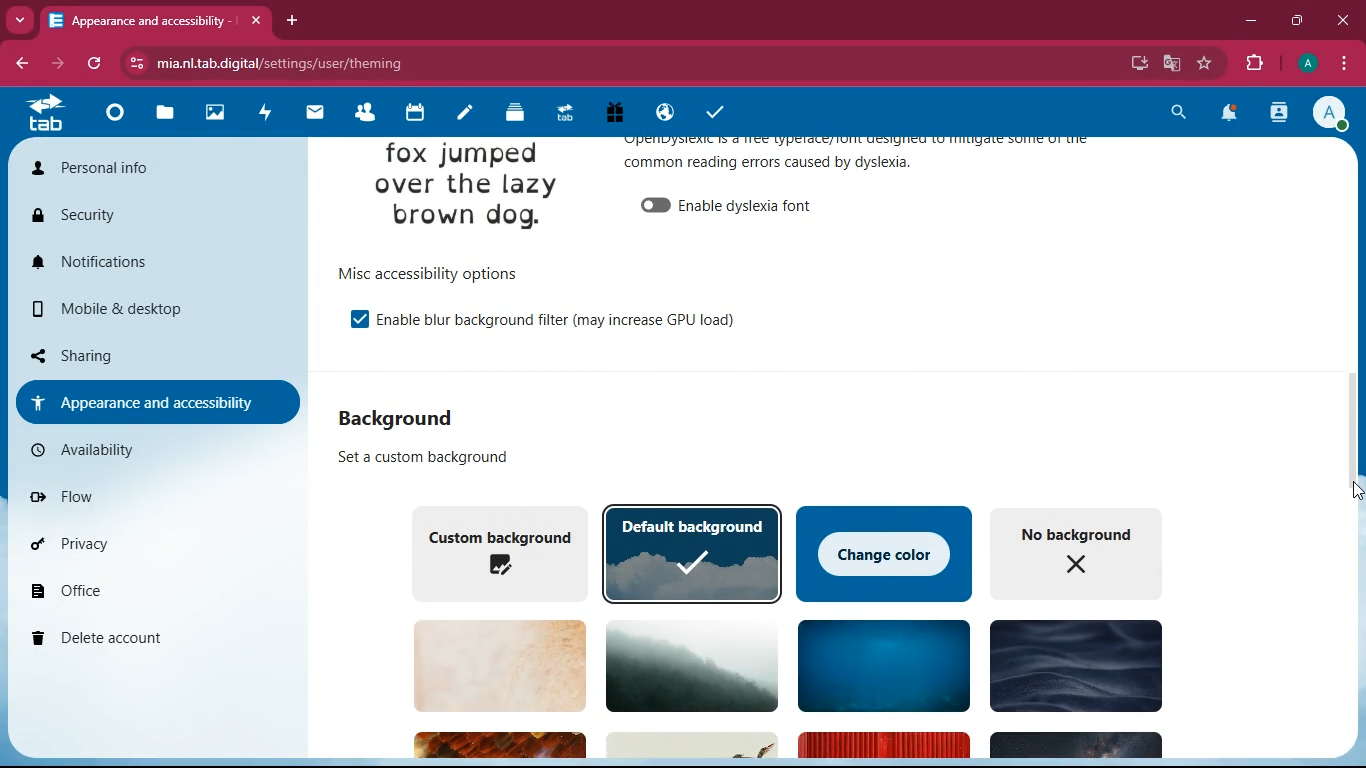 The width and height of the screenshot is (1366, 768). What do you see at coordinates (148, 449) in the screenshot?
I see `availability` at bounding box center [148, 449].